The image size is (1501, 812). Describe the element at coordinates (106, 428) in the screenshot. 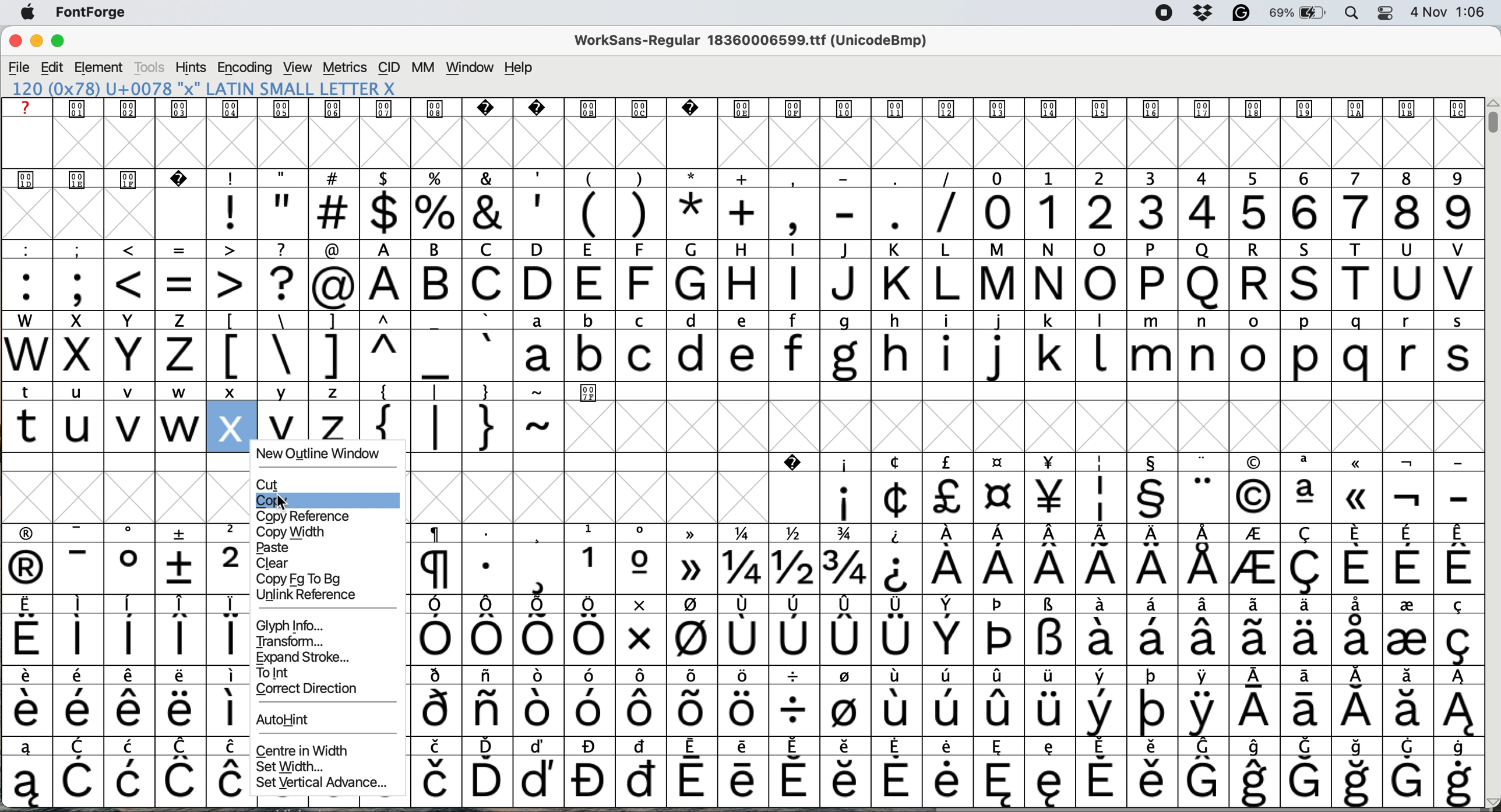

I see `t u v w: lower case letters` at that location.